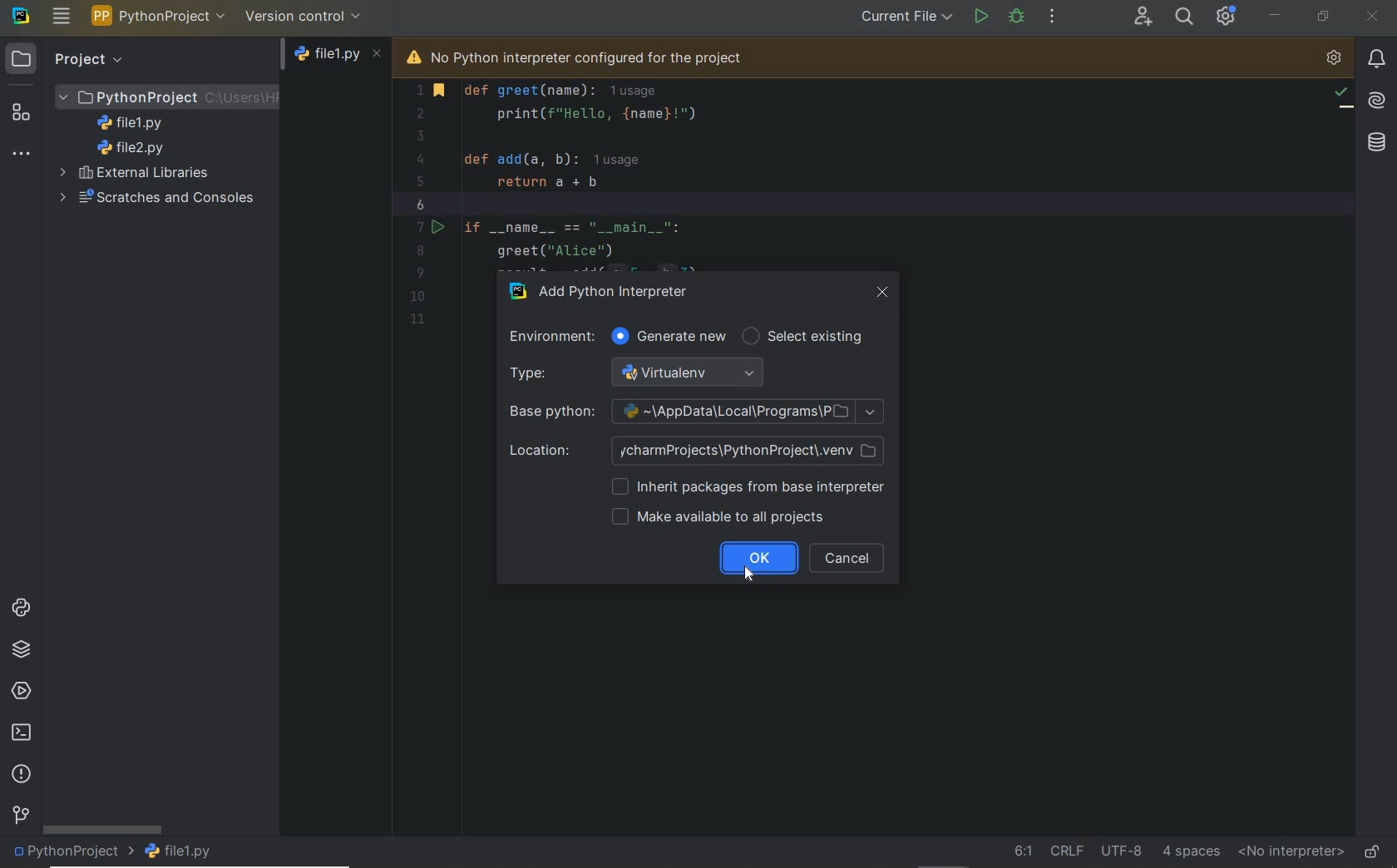 This screenshot has width=1397, height=868. What do you see at coordinates (339, 58) in the screenshot?
I see `file name` at bounding box center [339, 58].